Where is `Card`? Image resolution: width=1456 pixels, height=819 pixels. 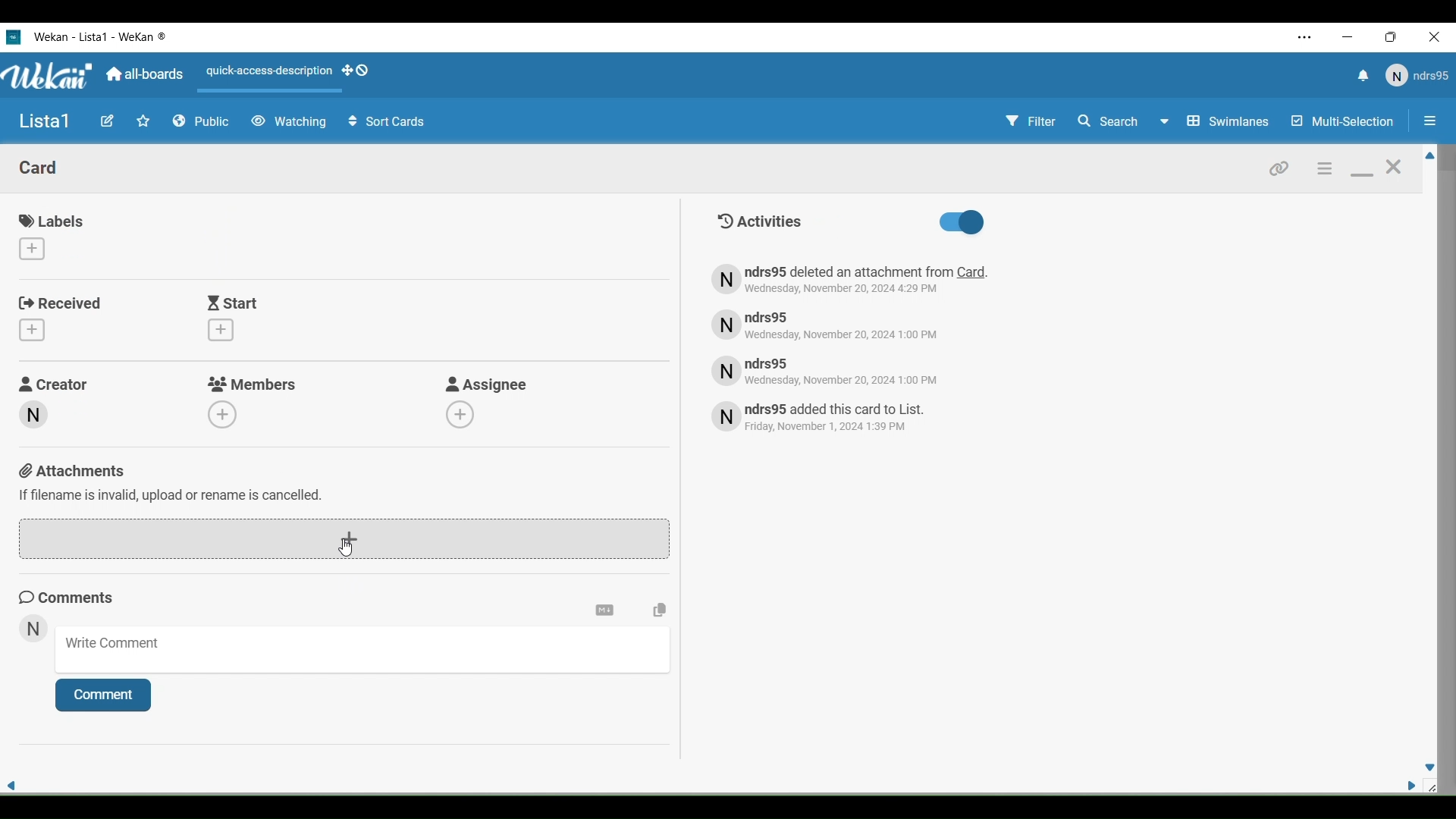
Card is located at coordinates (39, 167).